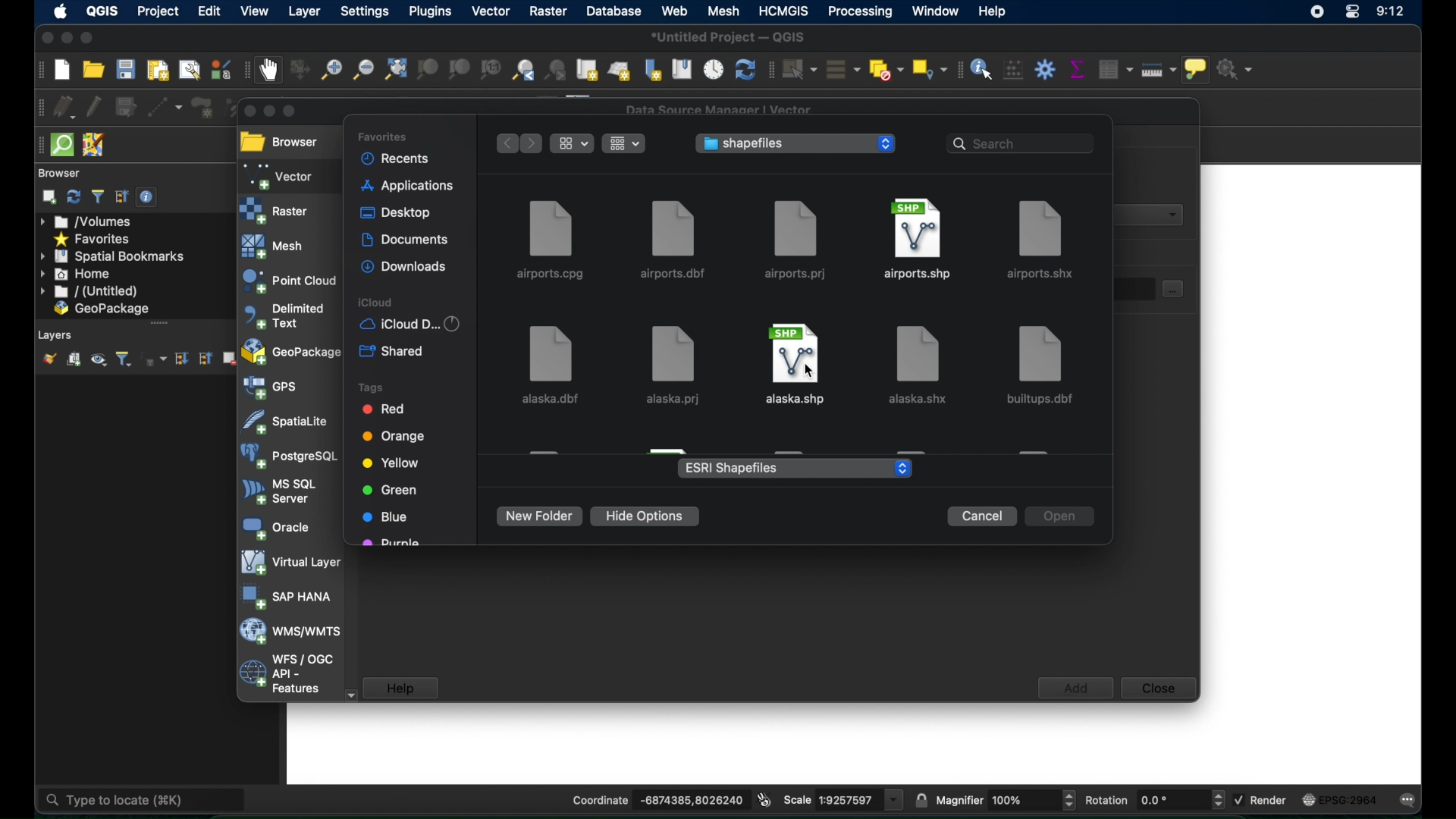 The height and width of the screenshot is (819, 1456). I want to click on scroll down arrow, so click(351, 694).